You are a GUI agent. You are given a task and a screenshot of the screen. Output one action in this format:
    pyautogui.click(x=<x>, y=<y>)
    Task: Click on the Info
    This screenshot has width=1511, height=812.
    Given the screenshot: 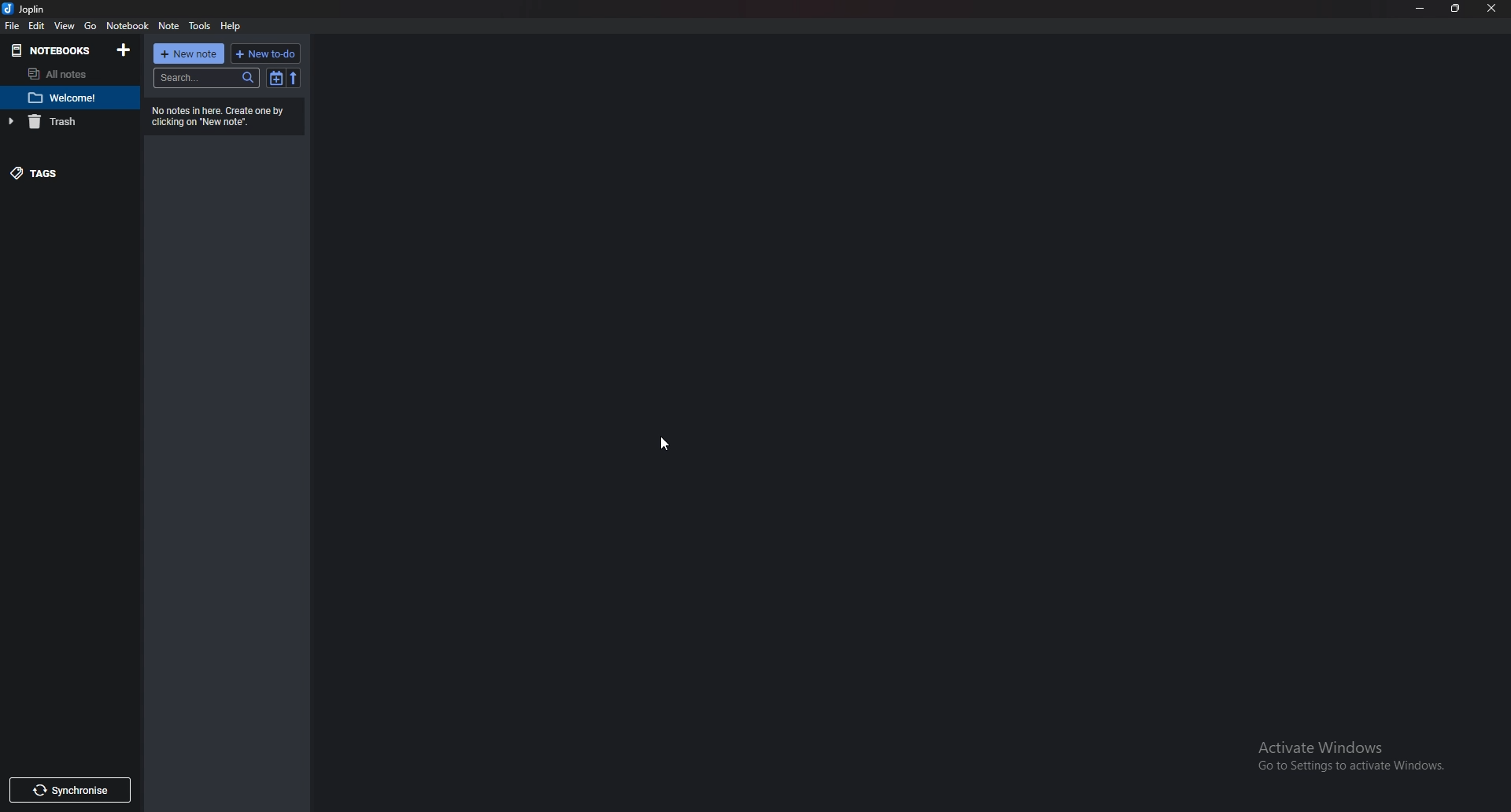 What is the action you would take?
    pyautogui.click(x=217, y=115)
    